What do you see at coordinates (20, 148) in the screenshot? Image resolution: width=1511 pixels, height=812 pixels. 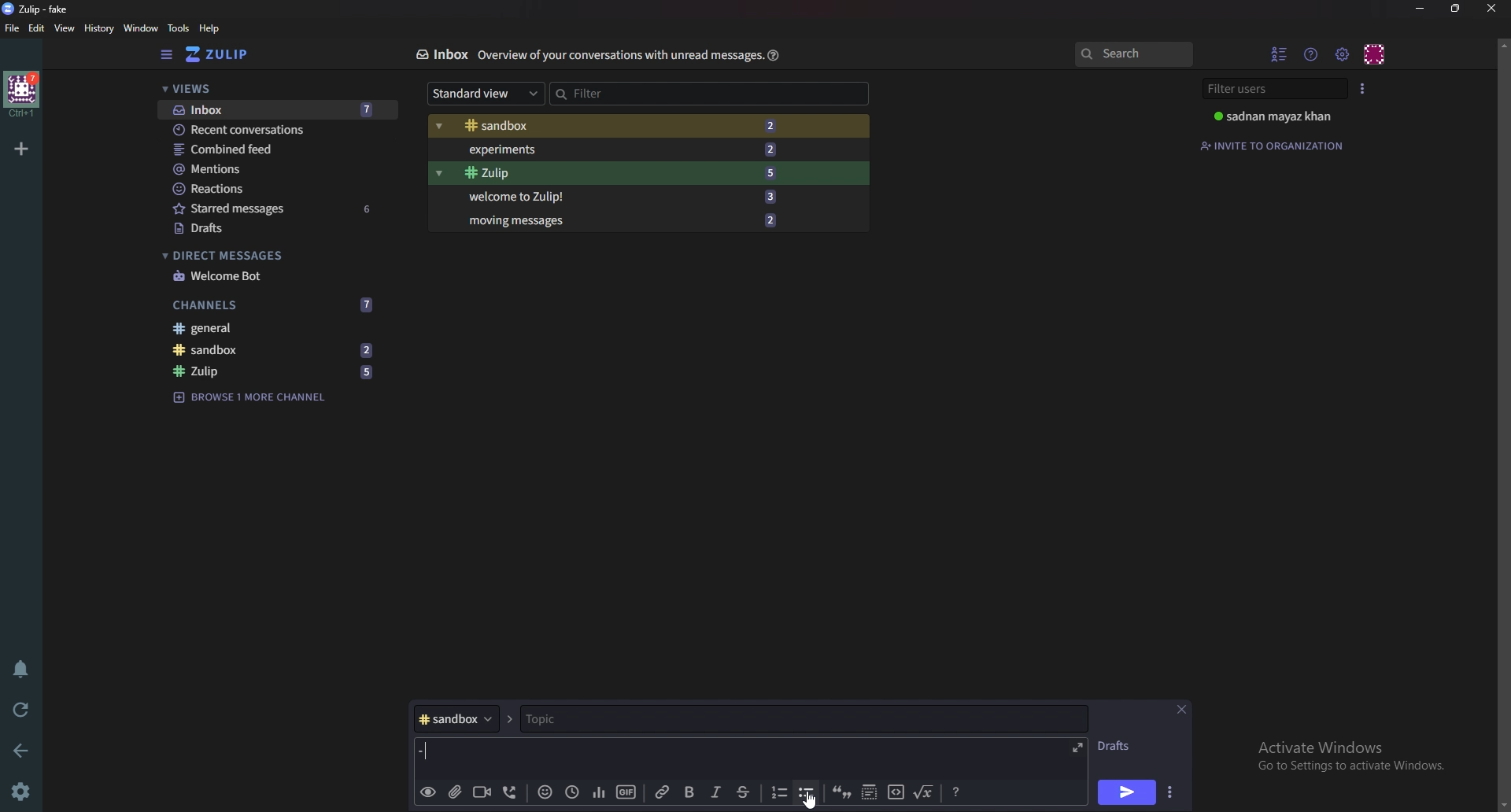 I see `Add organization` at bounding box center [20, 148].